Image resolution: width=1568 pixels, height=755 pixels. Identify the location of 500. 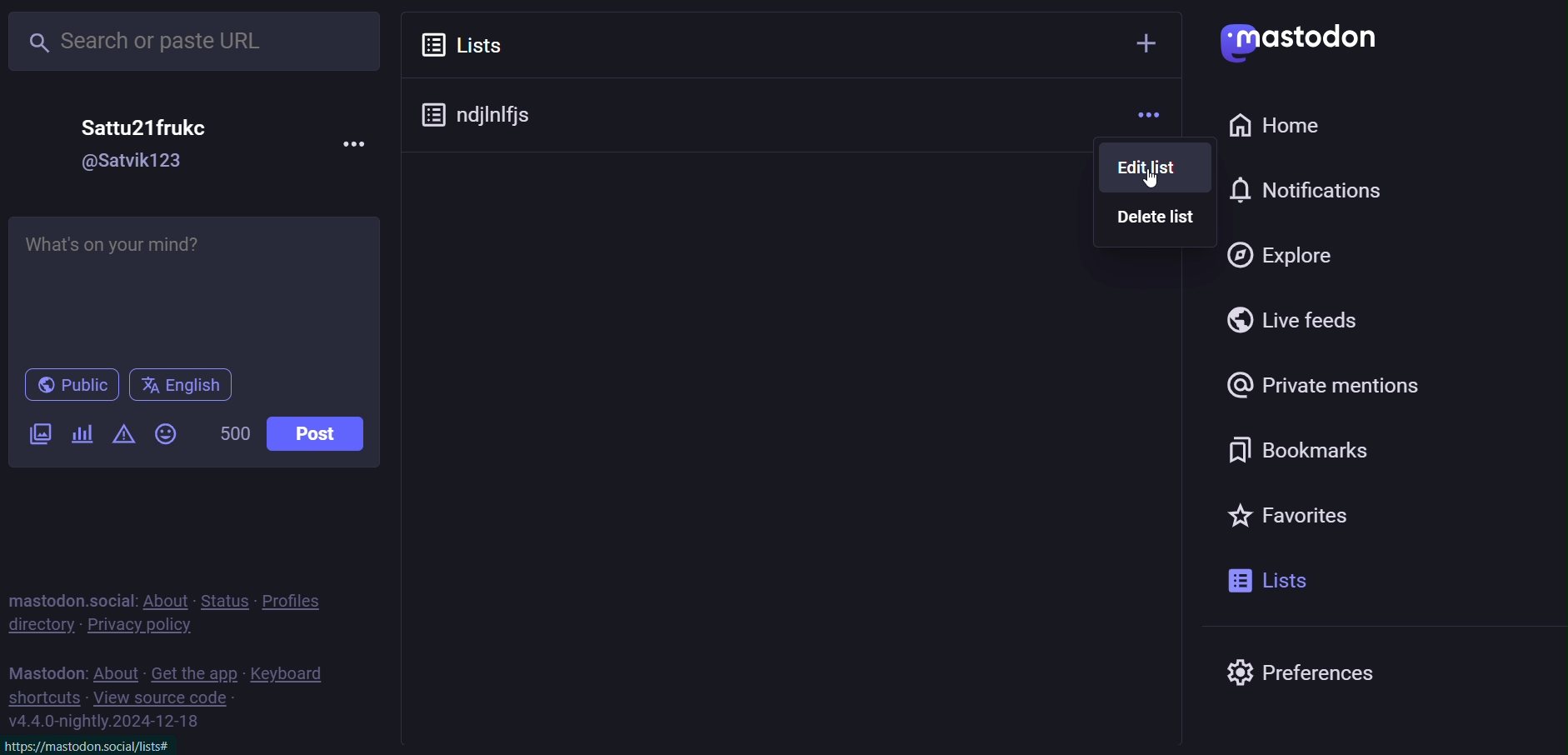
(235, 434).